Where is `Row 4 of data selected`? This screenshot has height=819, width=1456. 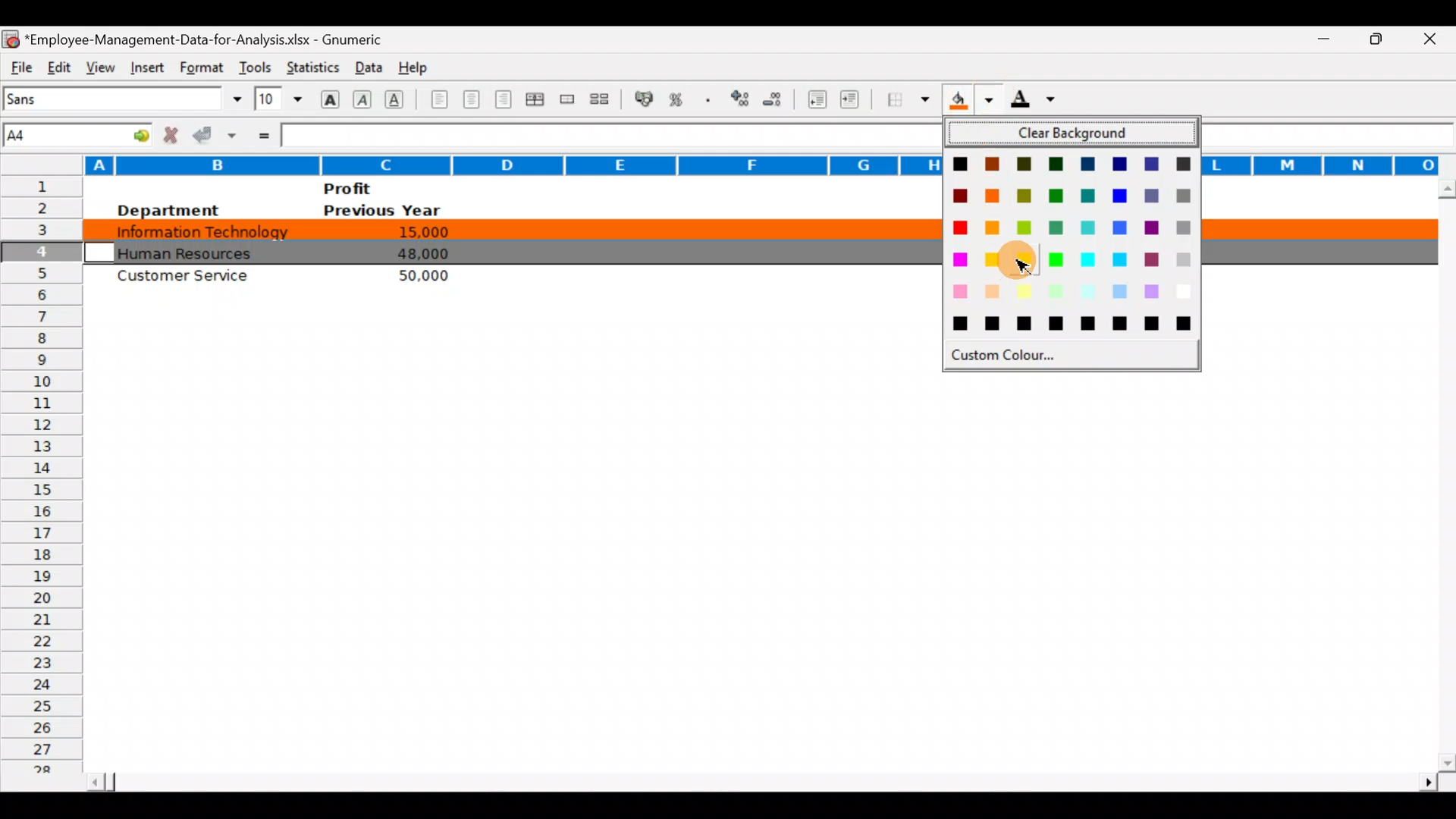
Row 4 of data selected is located at coordinates (511, 250).